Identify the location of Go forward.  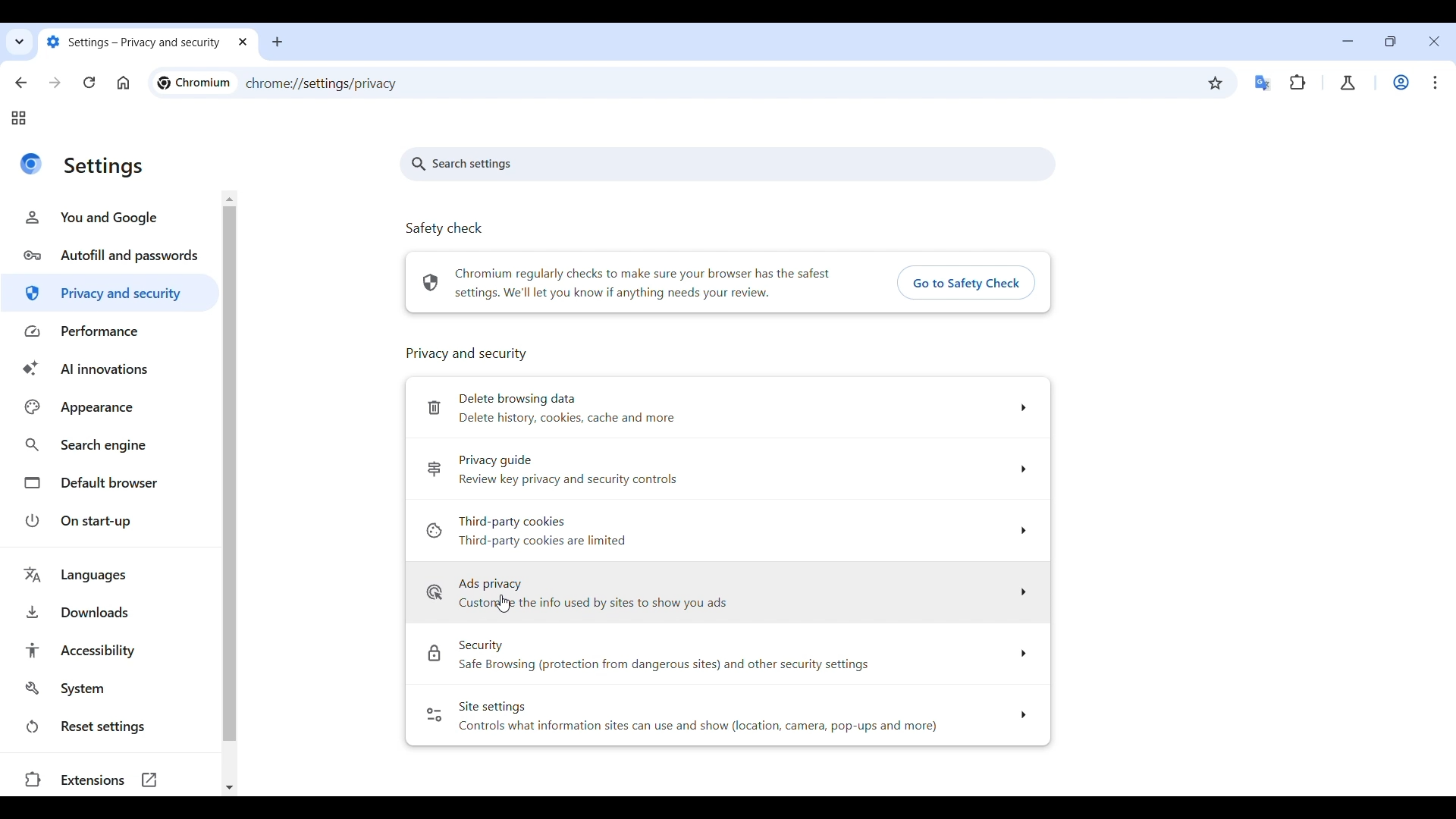
(55, 83).